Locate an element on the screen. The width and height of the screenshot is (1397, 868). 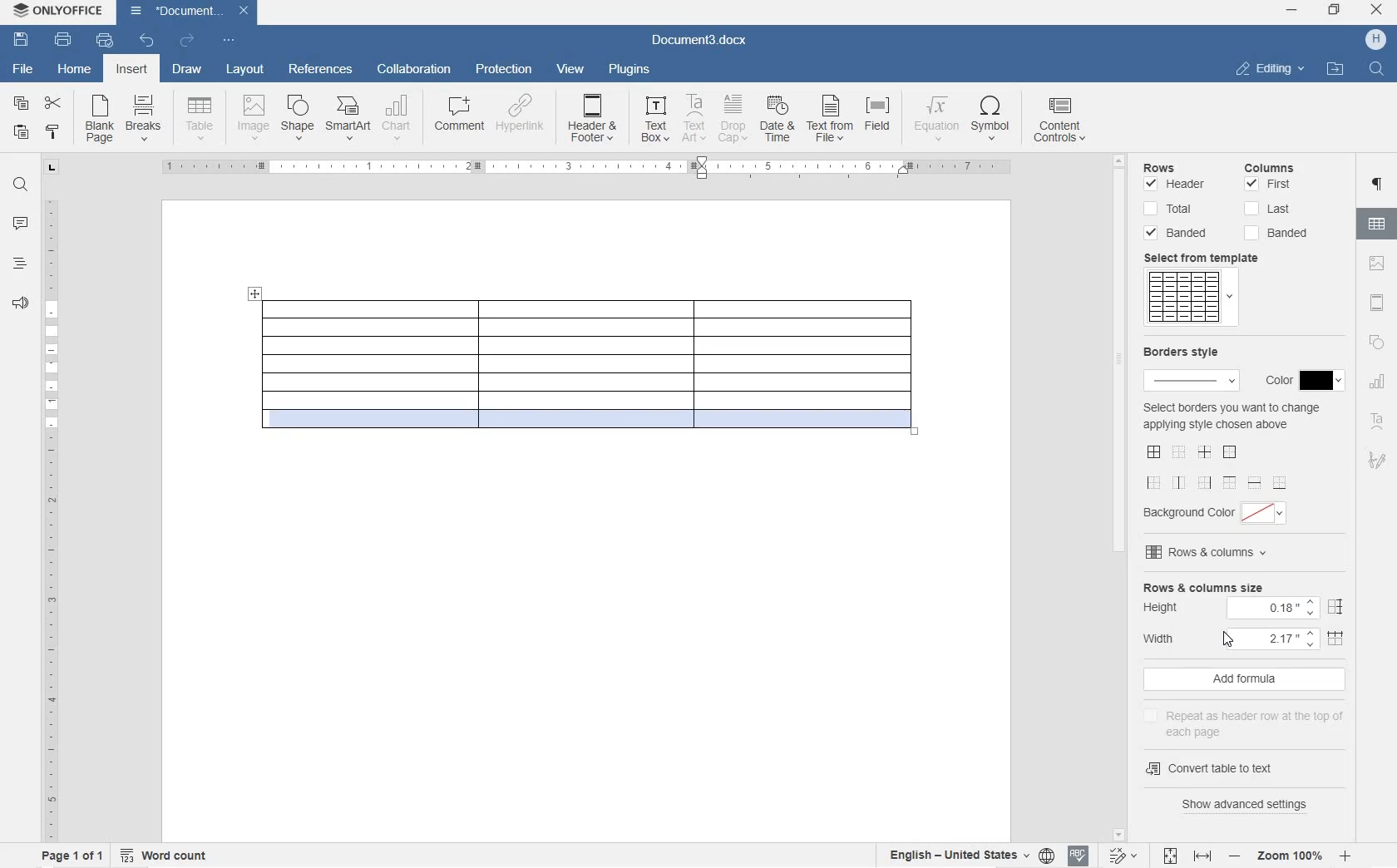
TRACK CHANGES is located at coordinates (1119, 857).